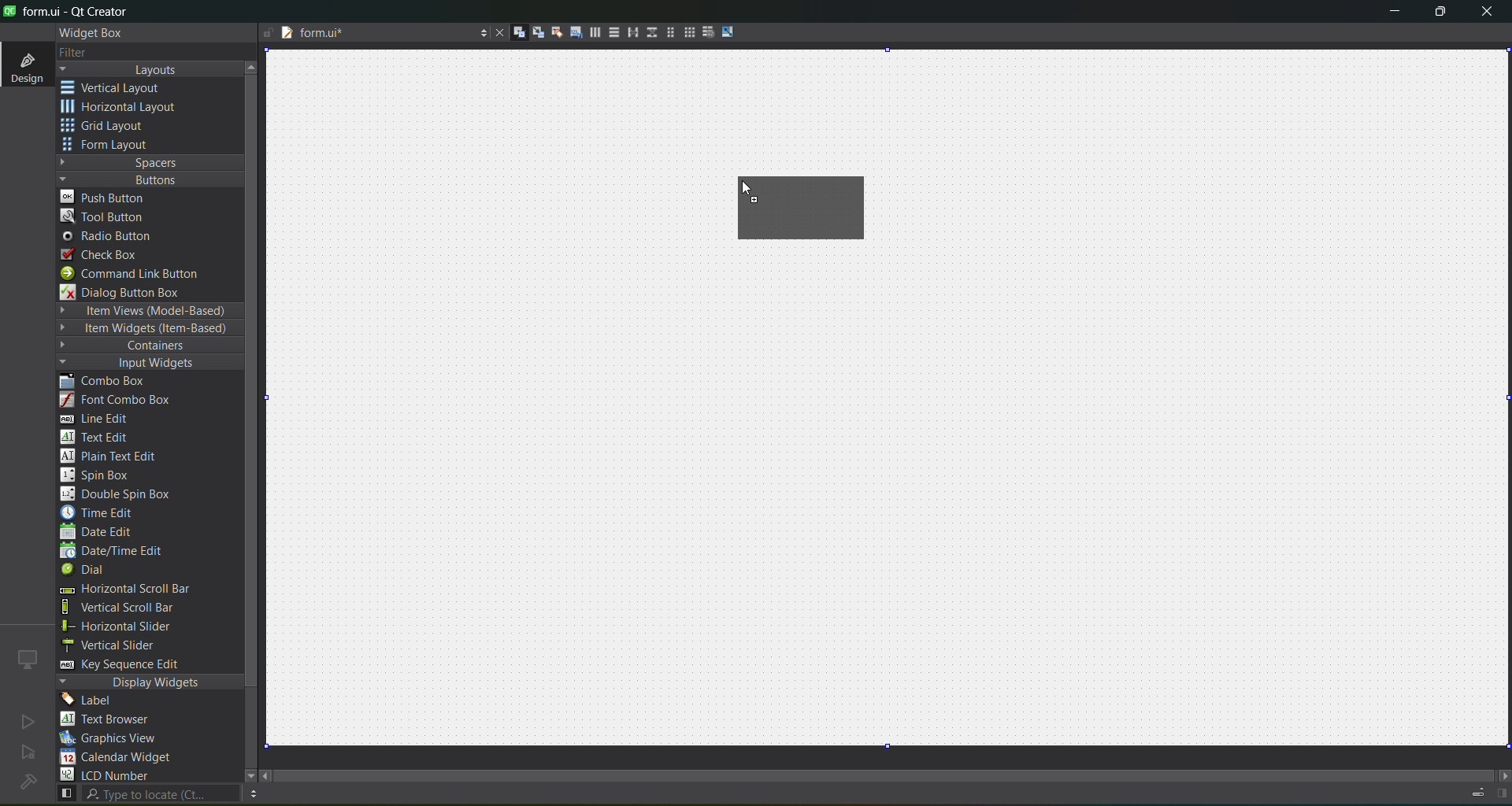 This screenshot has height=806, width=1512. I want to click on maximize, so click(1441, 14).